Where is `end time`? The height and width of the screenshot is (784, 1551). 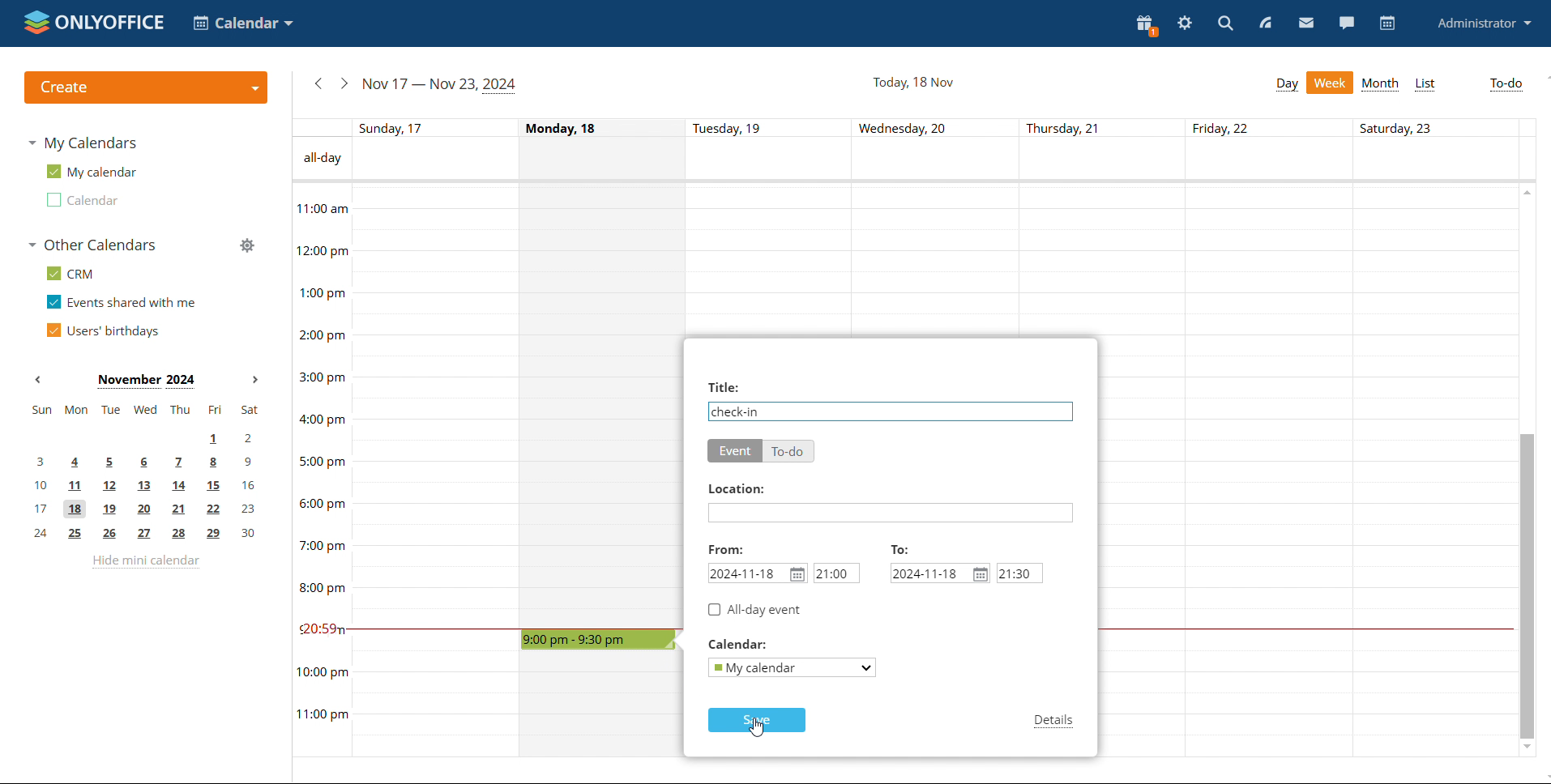 end time is located at coordinates (1019, 573).